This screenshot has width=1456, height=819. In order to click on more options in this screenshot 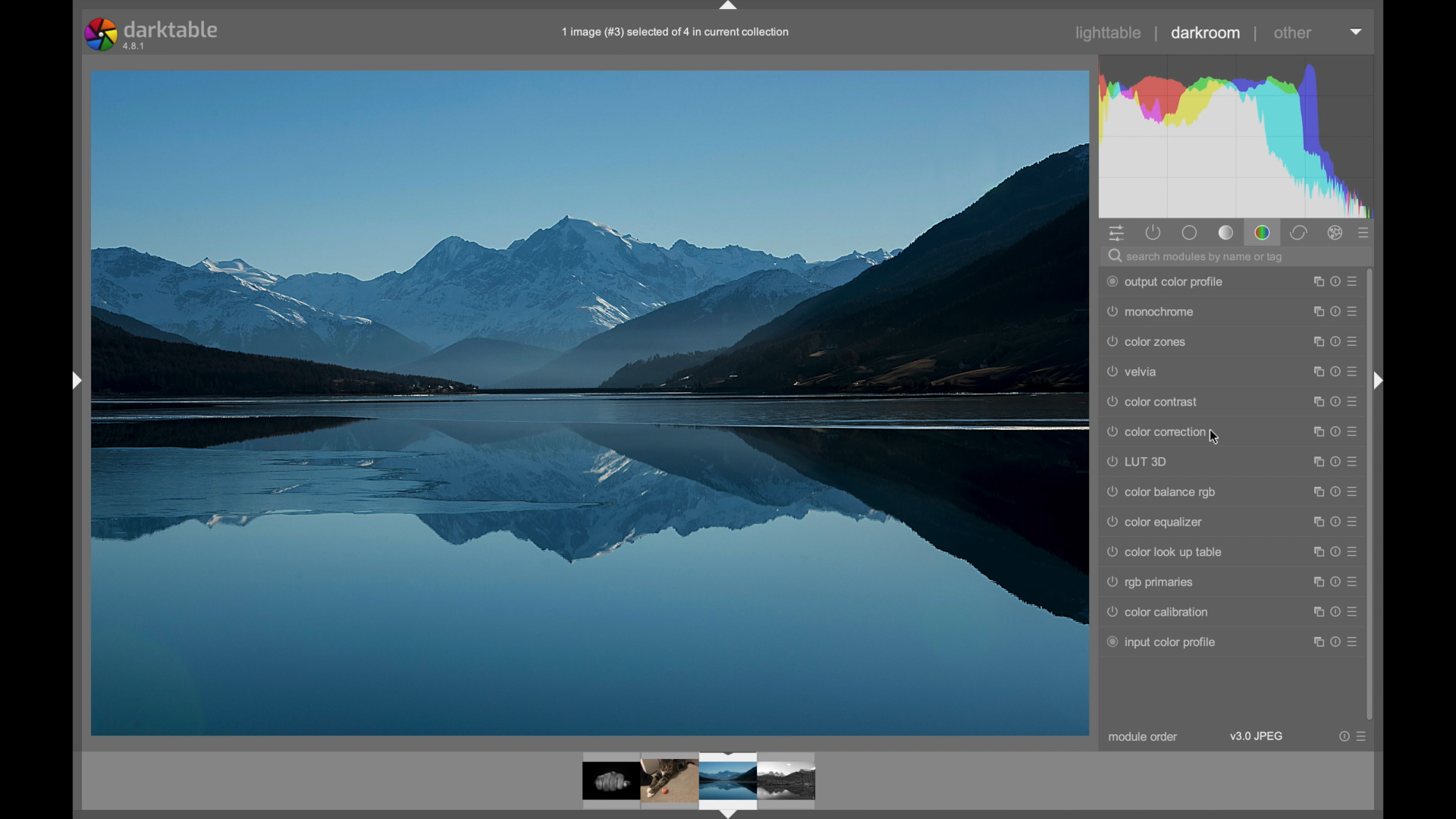, I will do `click(1334, 281)`.